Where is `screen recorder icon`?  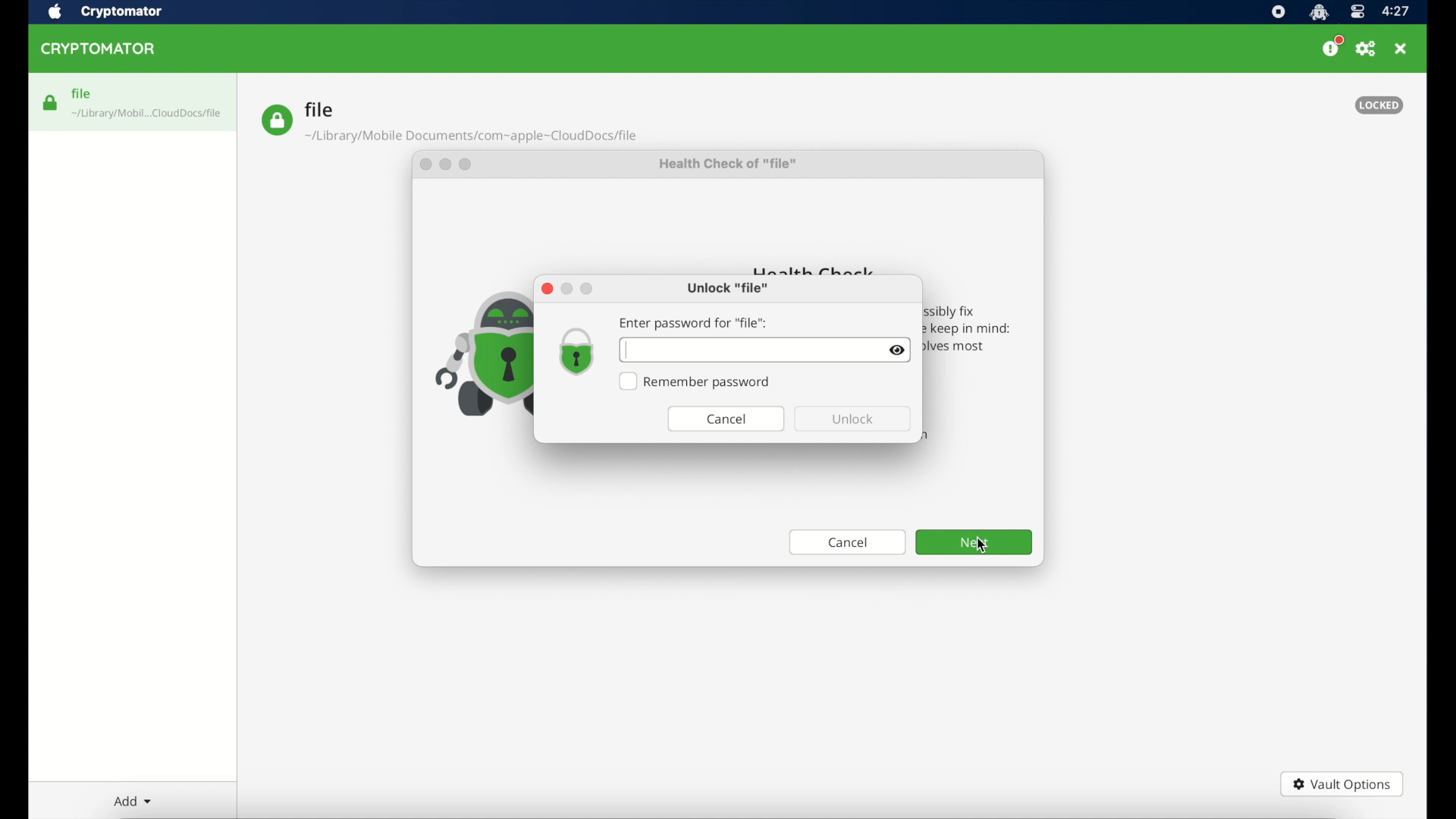
screen recorder icon is located at coordinates (1278, 12).